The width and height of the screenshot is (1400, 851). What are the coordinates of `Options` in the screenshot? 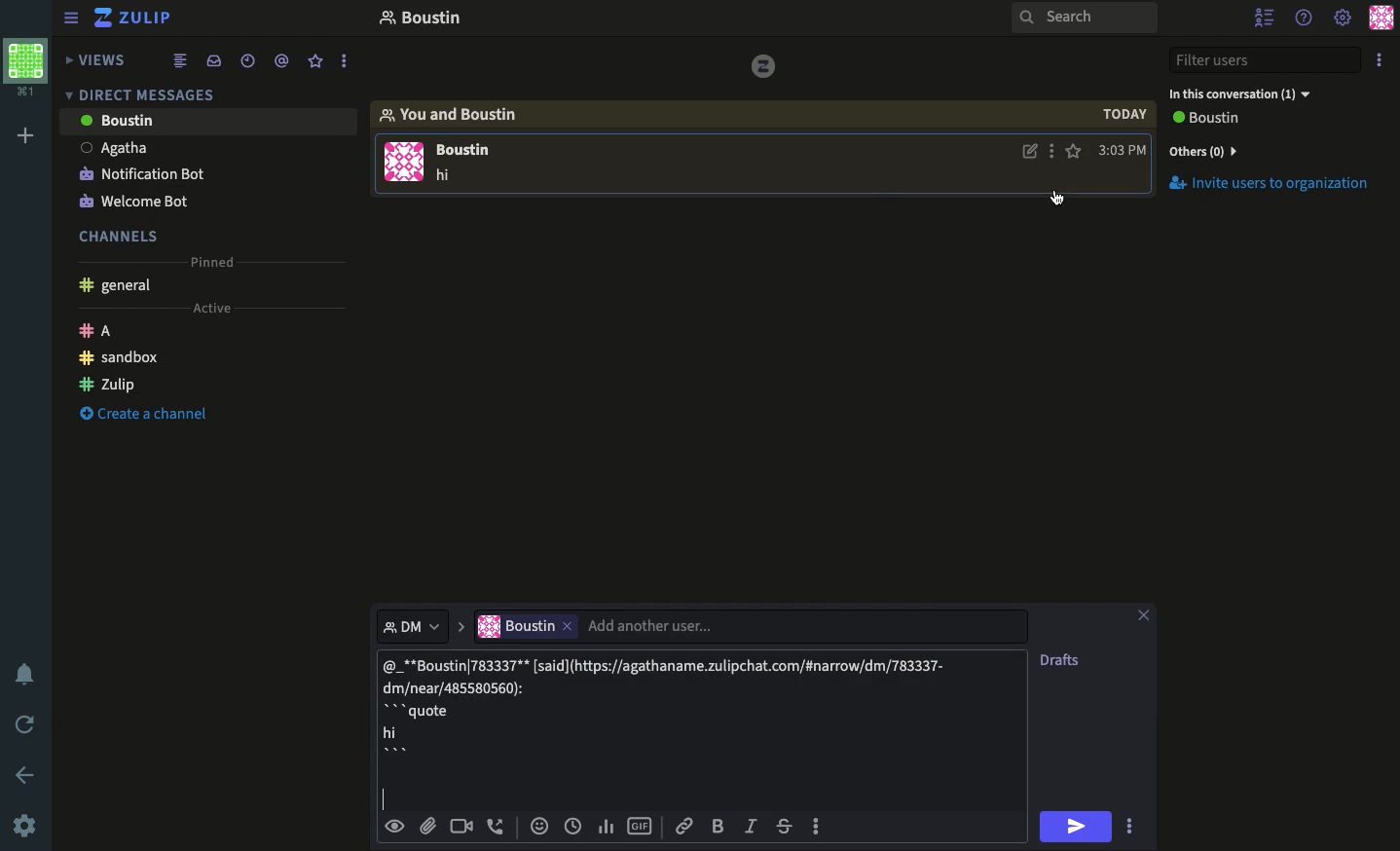 It's located at (1381, 62).